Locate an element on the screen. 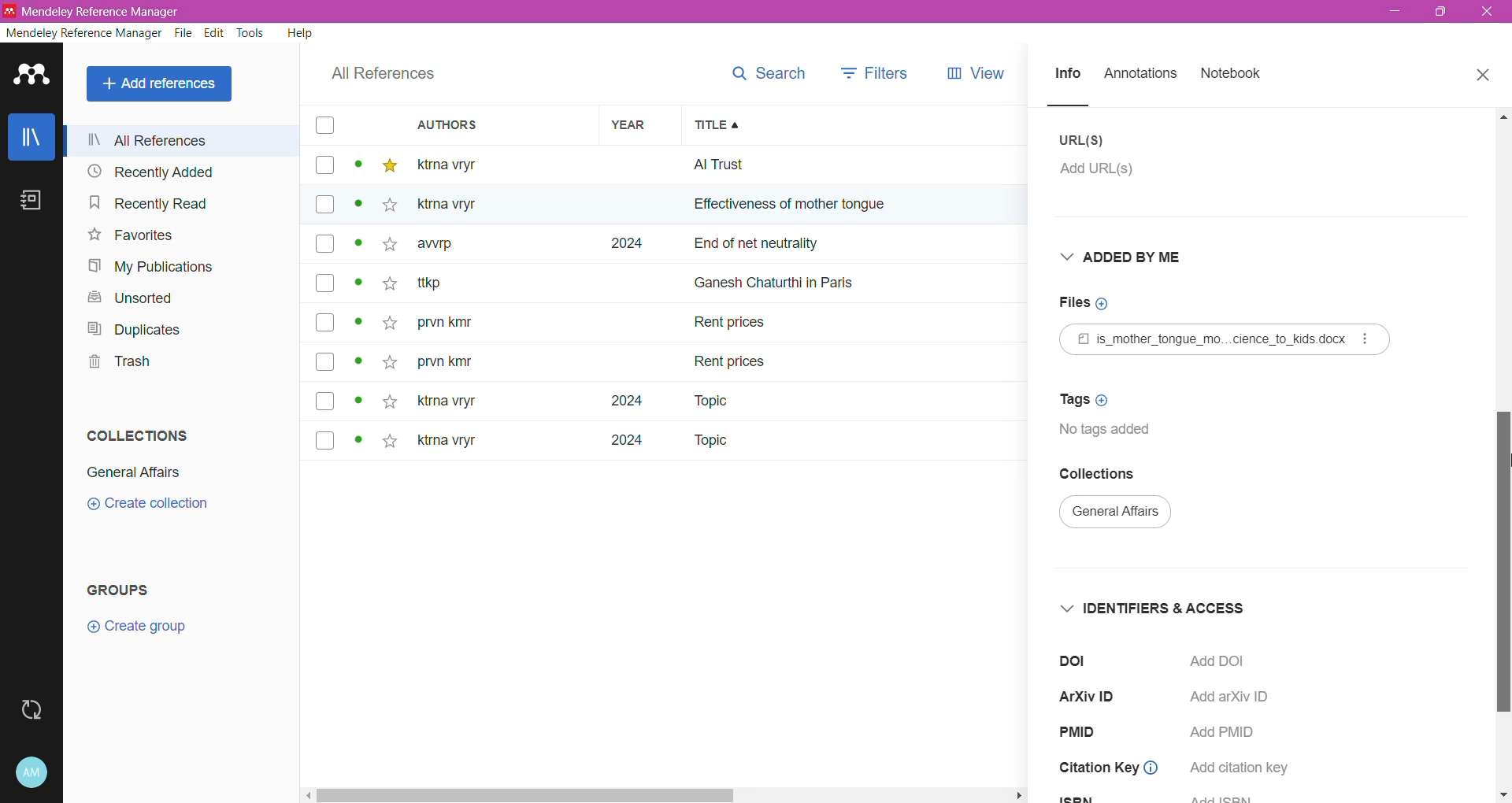 The height and width of the screenshot is (803, 1512). dot  is located at coordinates (357, 326).